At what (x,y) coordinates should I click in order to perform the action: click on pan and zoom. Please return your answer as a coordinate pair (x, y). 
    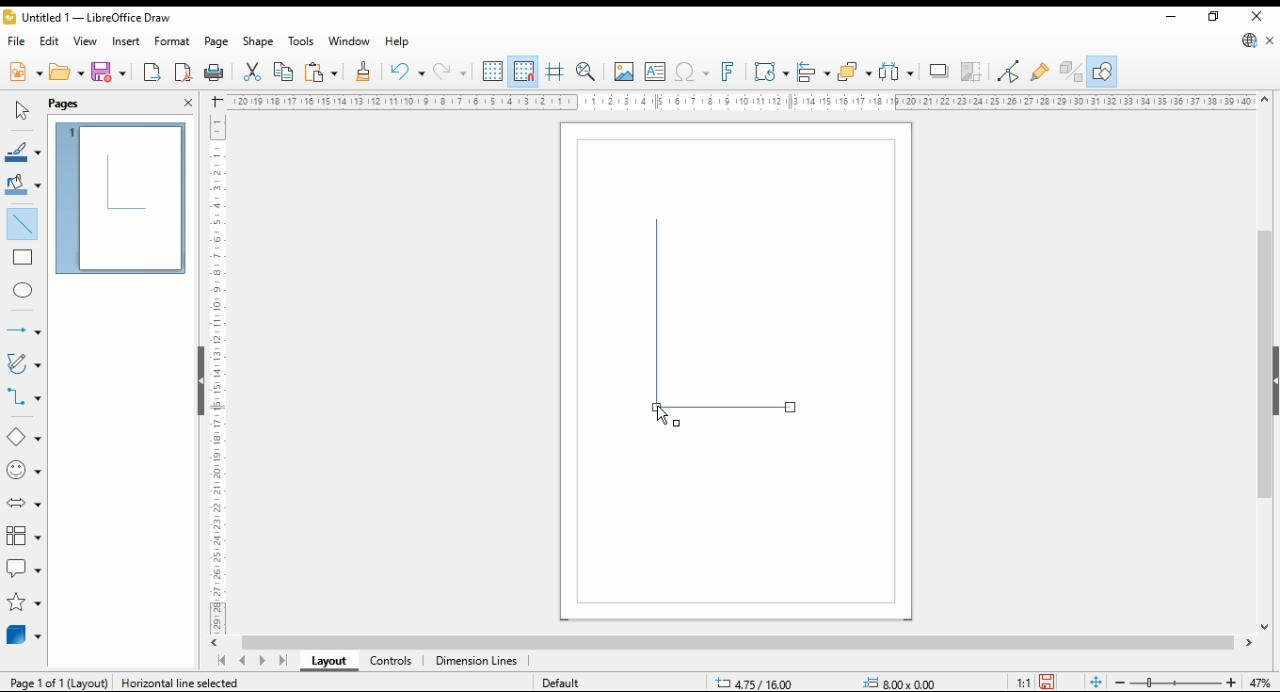
    Looking at the image, I should click on (588, 71).